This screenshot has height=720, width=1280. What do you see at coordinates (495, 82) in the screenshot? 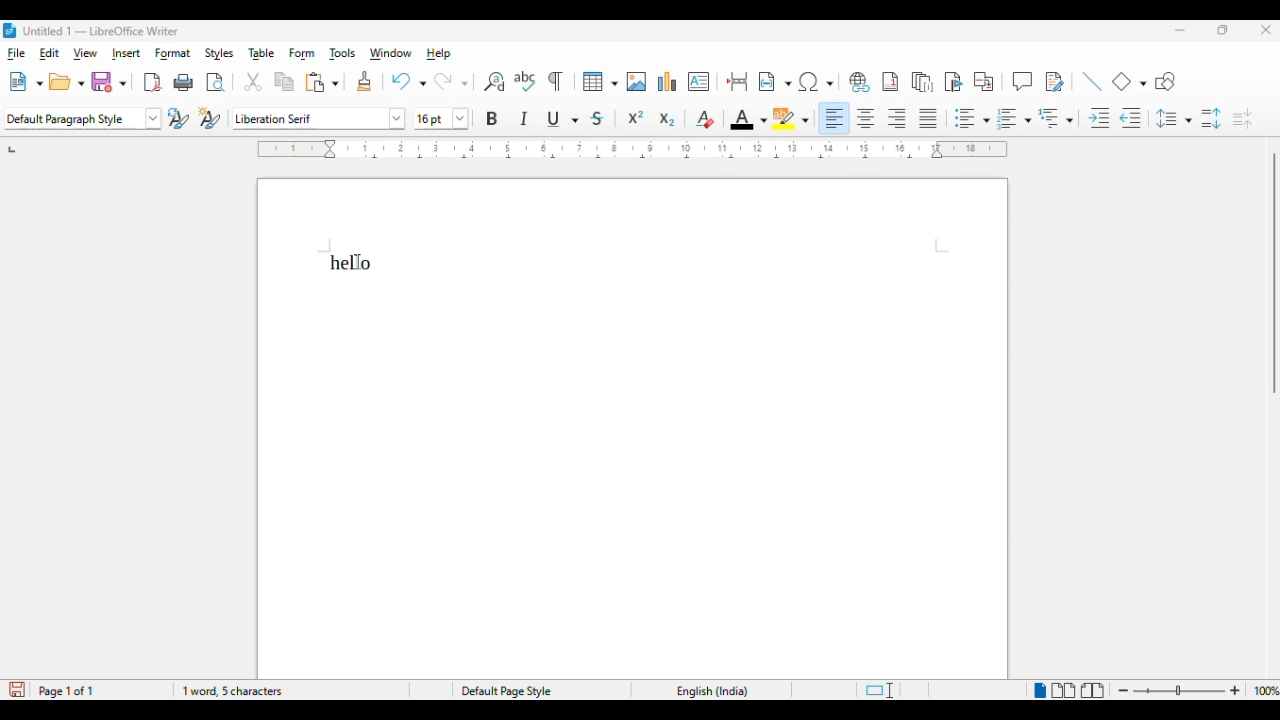
I see `find and replace` at bounding box center [495, 82].